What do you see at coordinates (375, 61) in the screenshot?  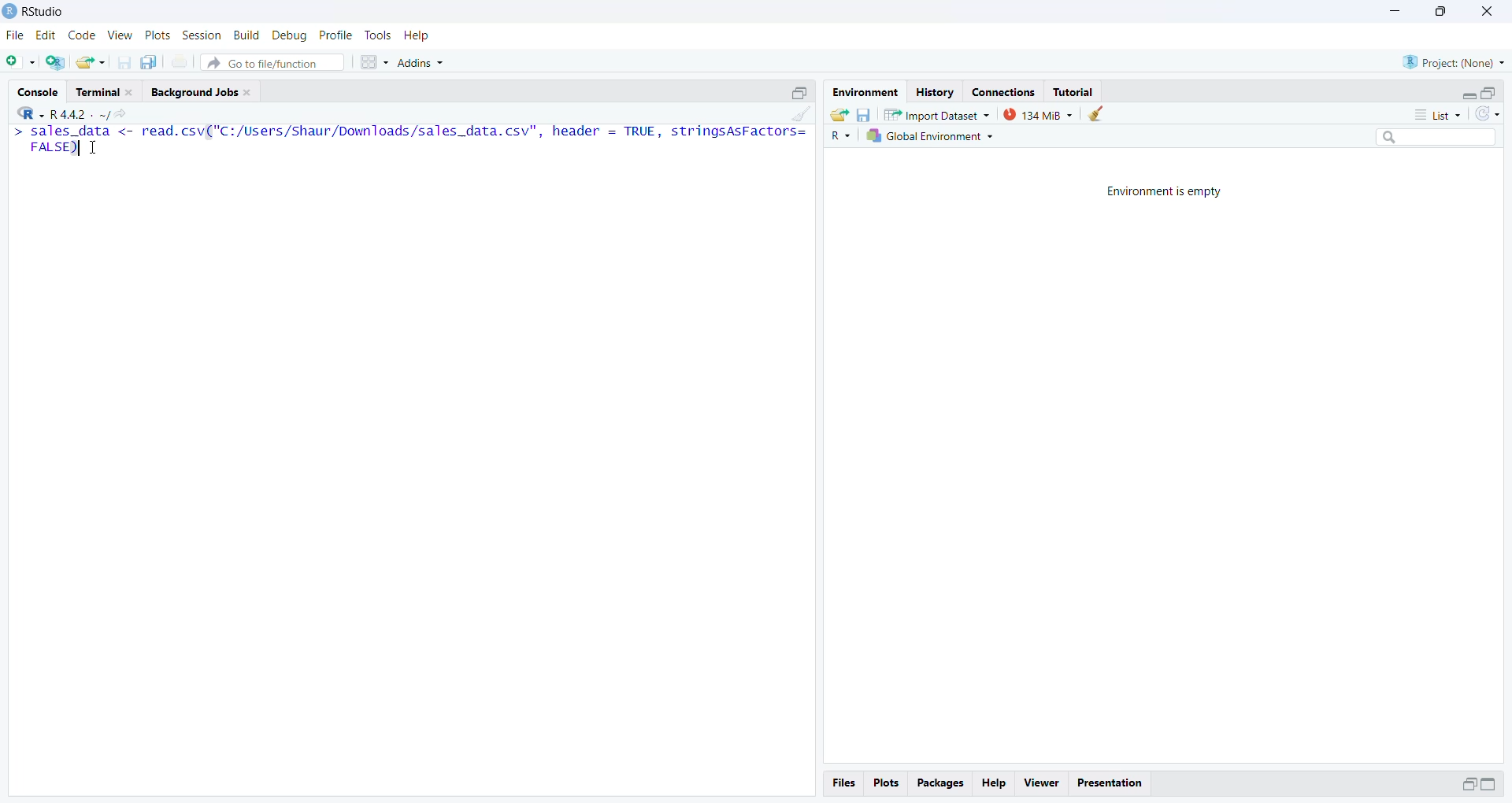 I see `Workspaces pane` at bounding box center [375, 61].